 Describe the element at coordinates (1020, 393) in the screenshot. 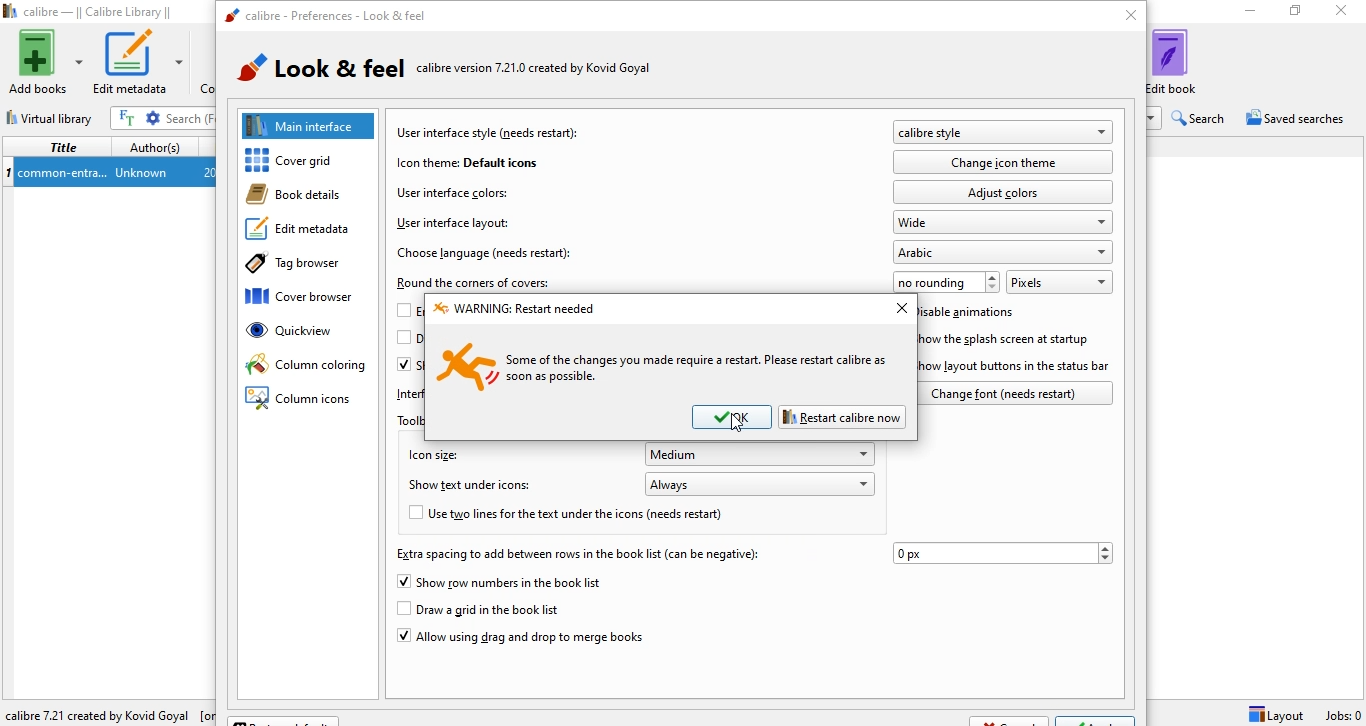

I see `change font (needs restart)` at that location.